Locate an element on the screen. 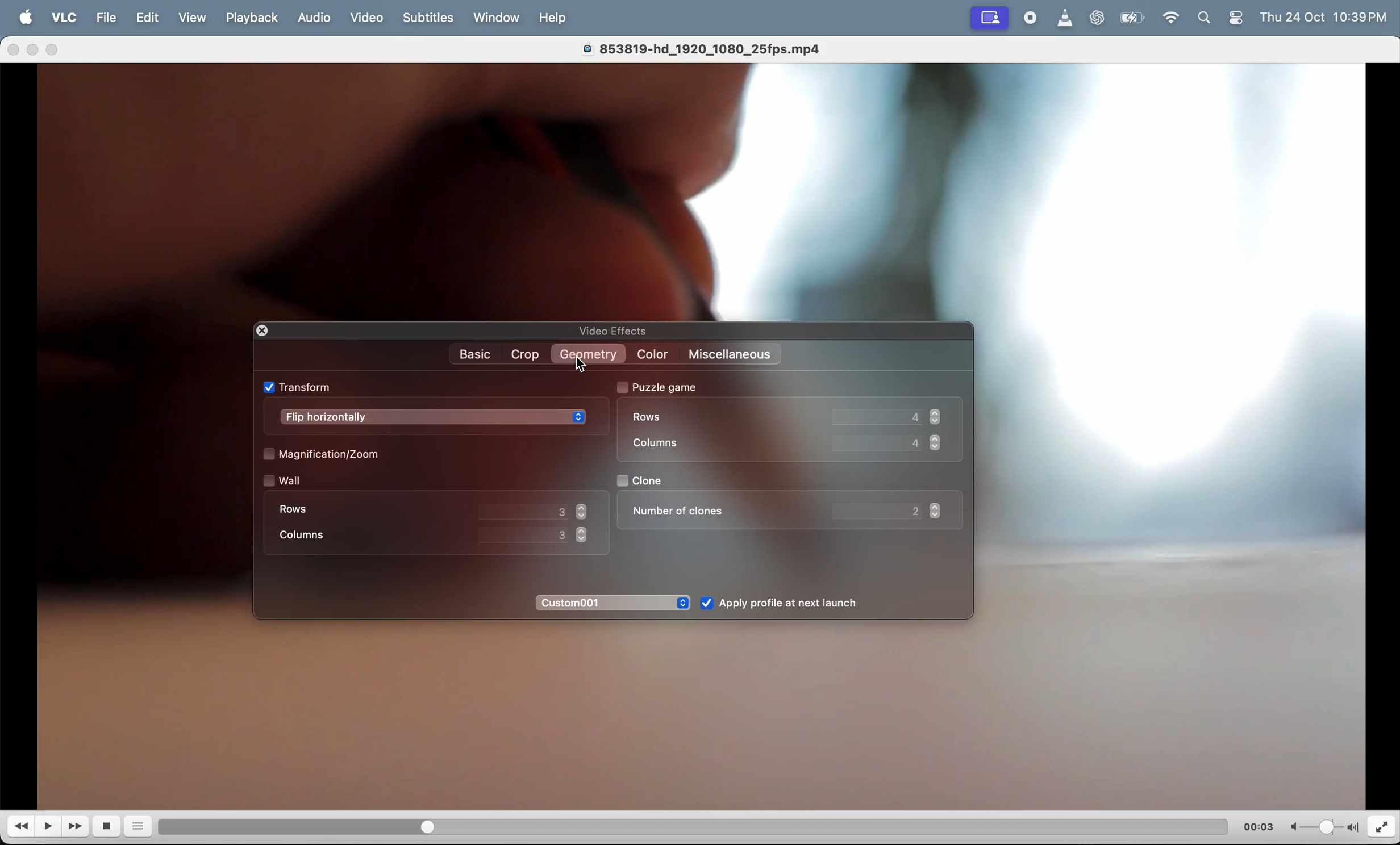 Image resolution: width=1400 pixels, height=845 pixels. check box is located at coordinates (264, 480).